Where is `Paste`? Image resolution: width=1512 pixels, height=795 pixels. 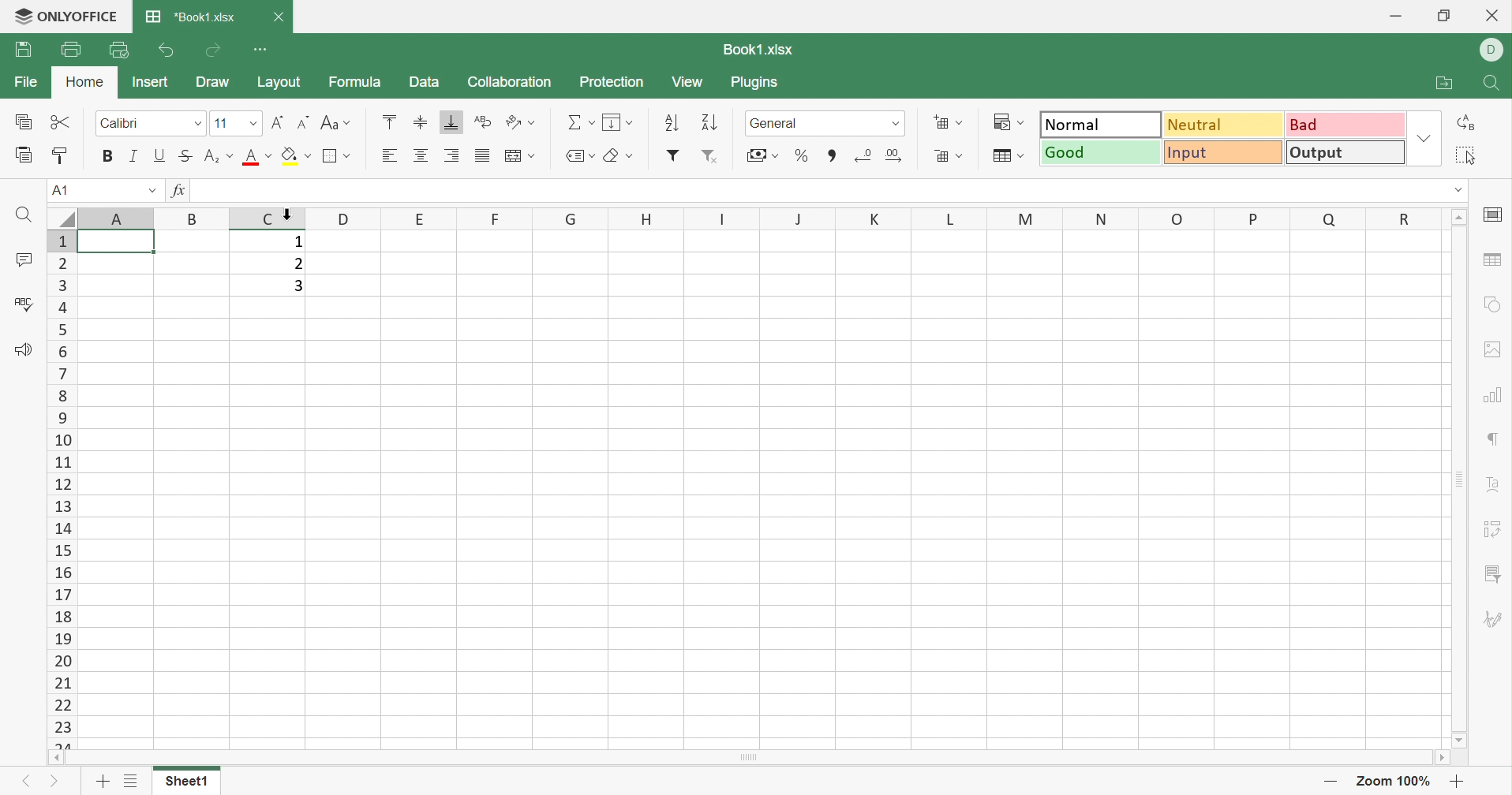 Paste is located at coordinates (22, 154).